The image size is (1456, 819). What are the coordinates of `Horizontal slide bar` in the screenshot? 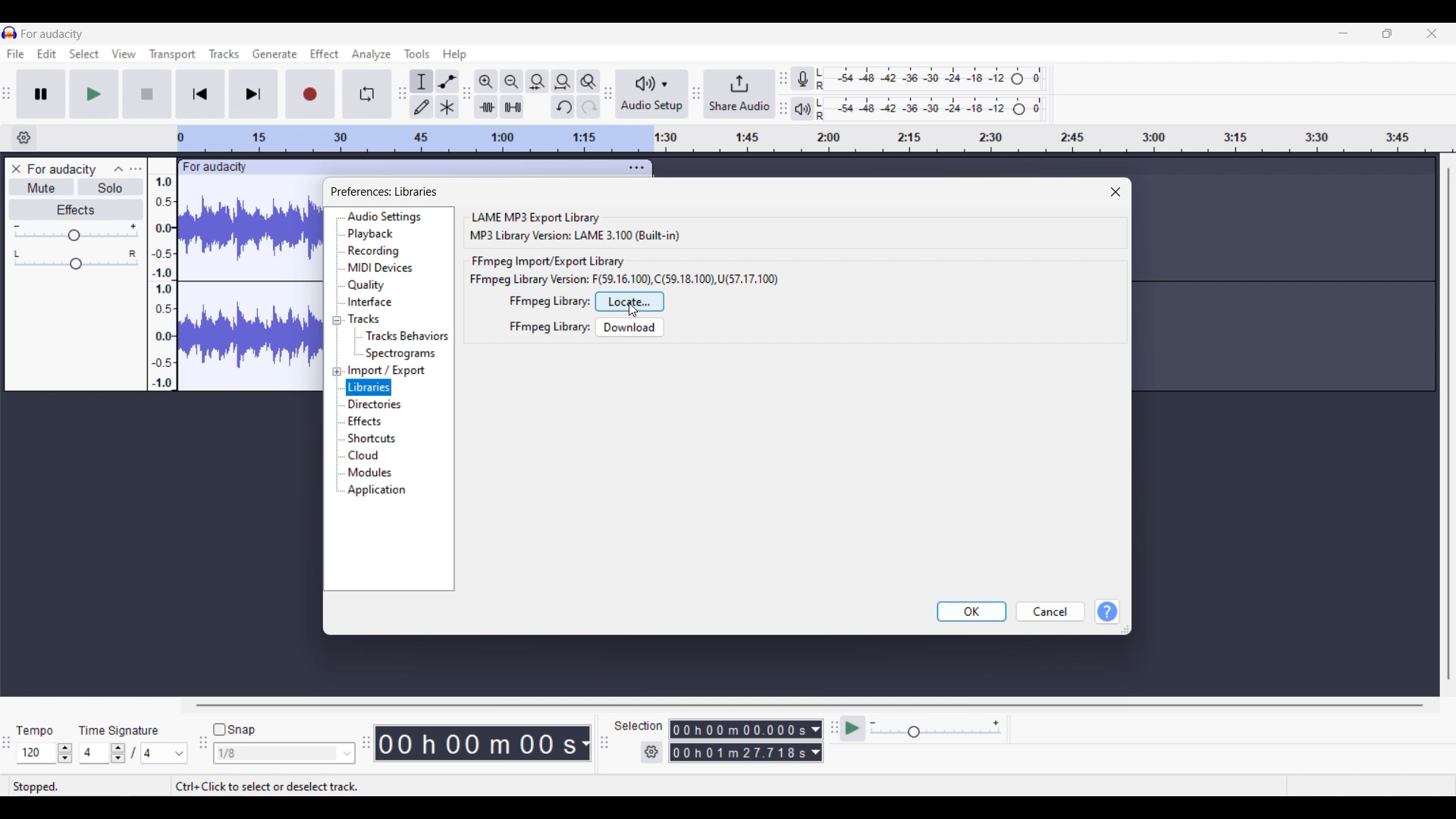 It's located at (809, 704).